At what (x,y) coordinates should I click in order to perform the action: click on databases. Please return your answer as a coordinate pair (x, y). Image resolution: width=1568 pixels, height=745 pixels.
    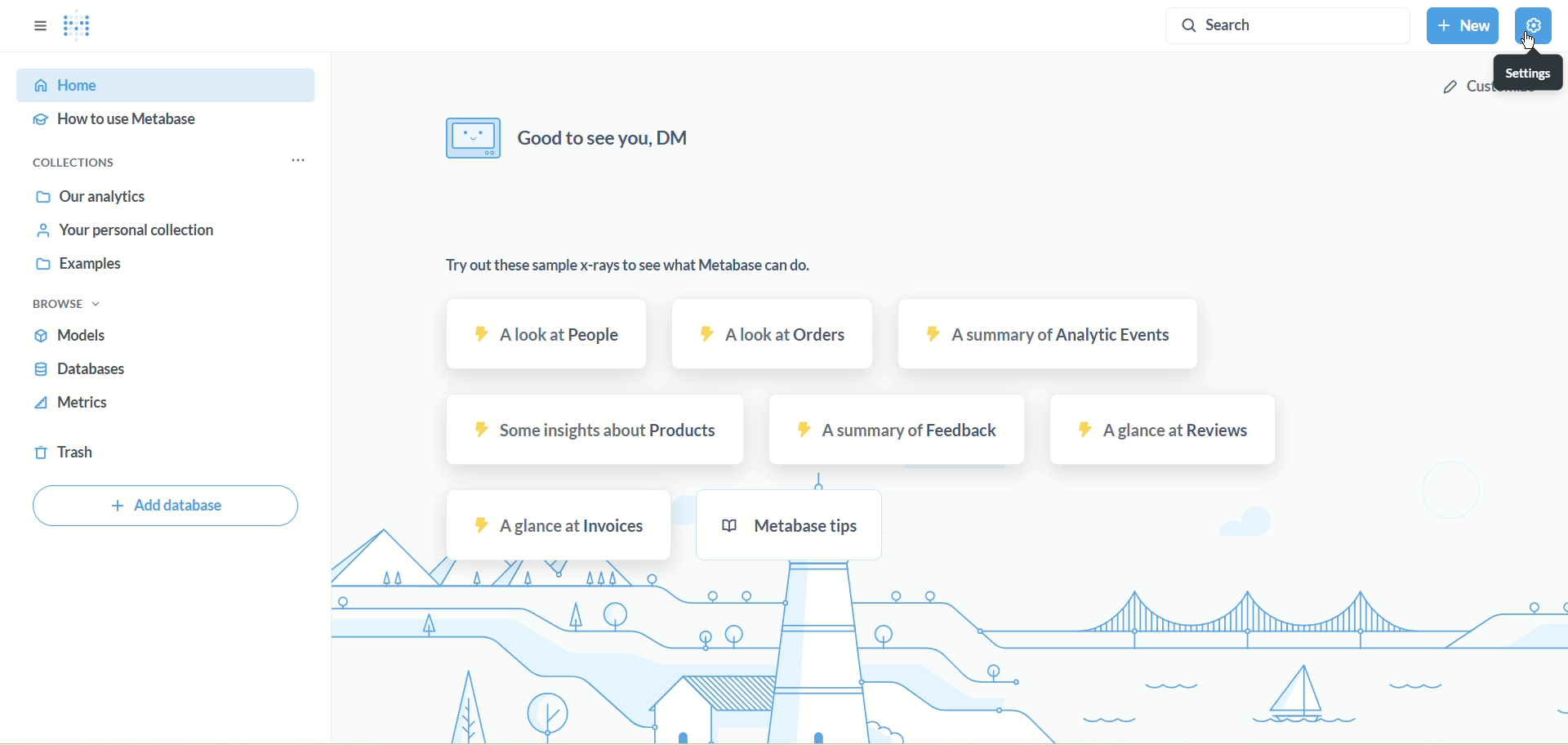
    Looking at the image, I should click on (78, 372).